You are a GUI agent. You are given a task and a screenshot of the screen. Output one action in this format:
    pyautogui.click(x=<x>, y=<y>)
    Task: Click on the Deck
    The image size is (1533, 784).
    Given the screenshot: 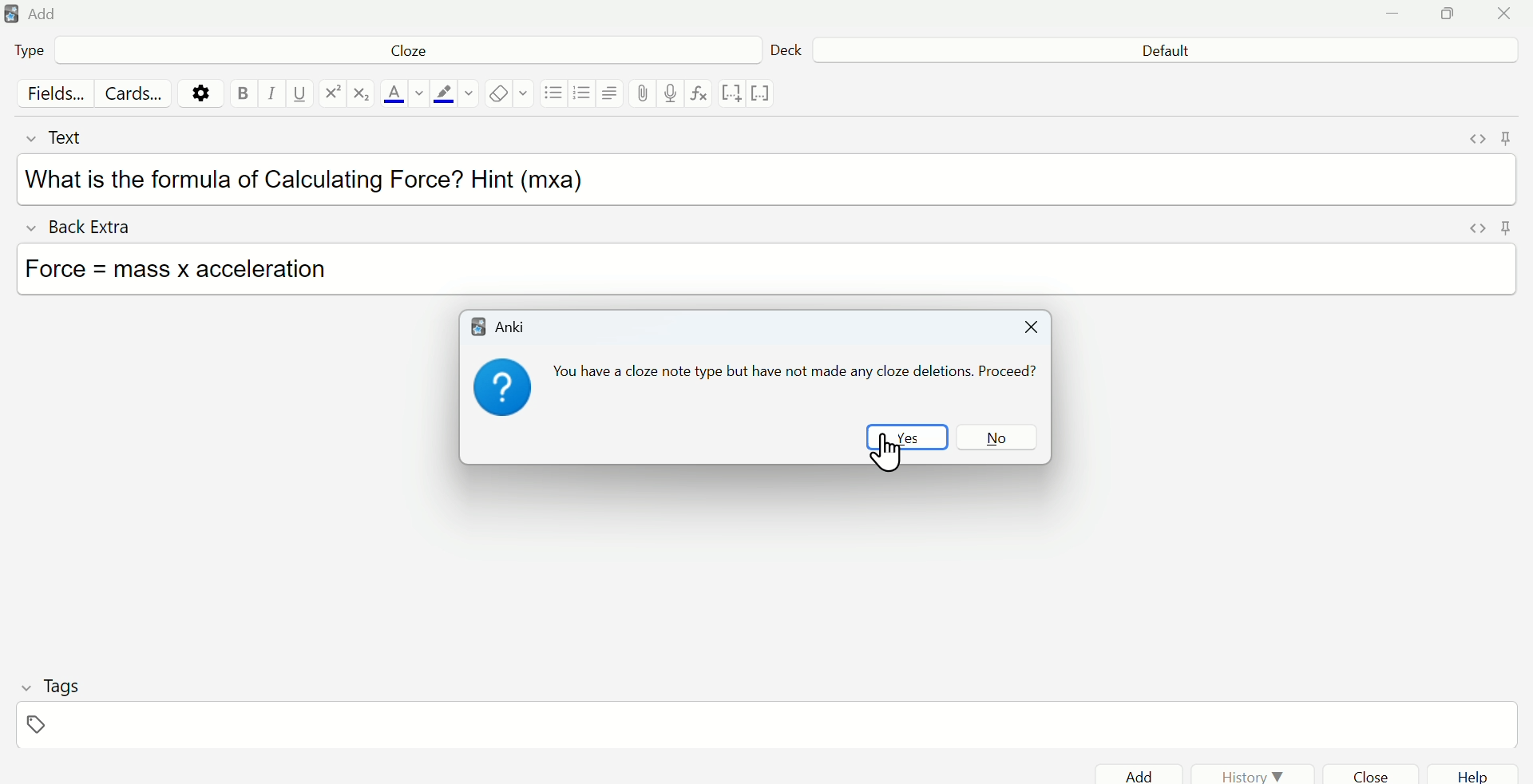 What is the action you would take?
    pyautogui.click(x=786, y=47)
    